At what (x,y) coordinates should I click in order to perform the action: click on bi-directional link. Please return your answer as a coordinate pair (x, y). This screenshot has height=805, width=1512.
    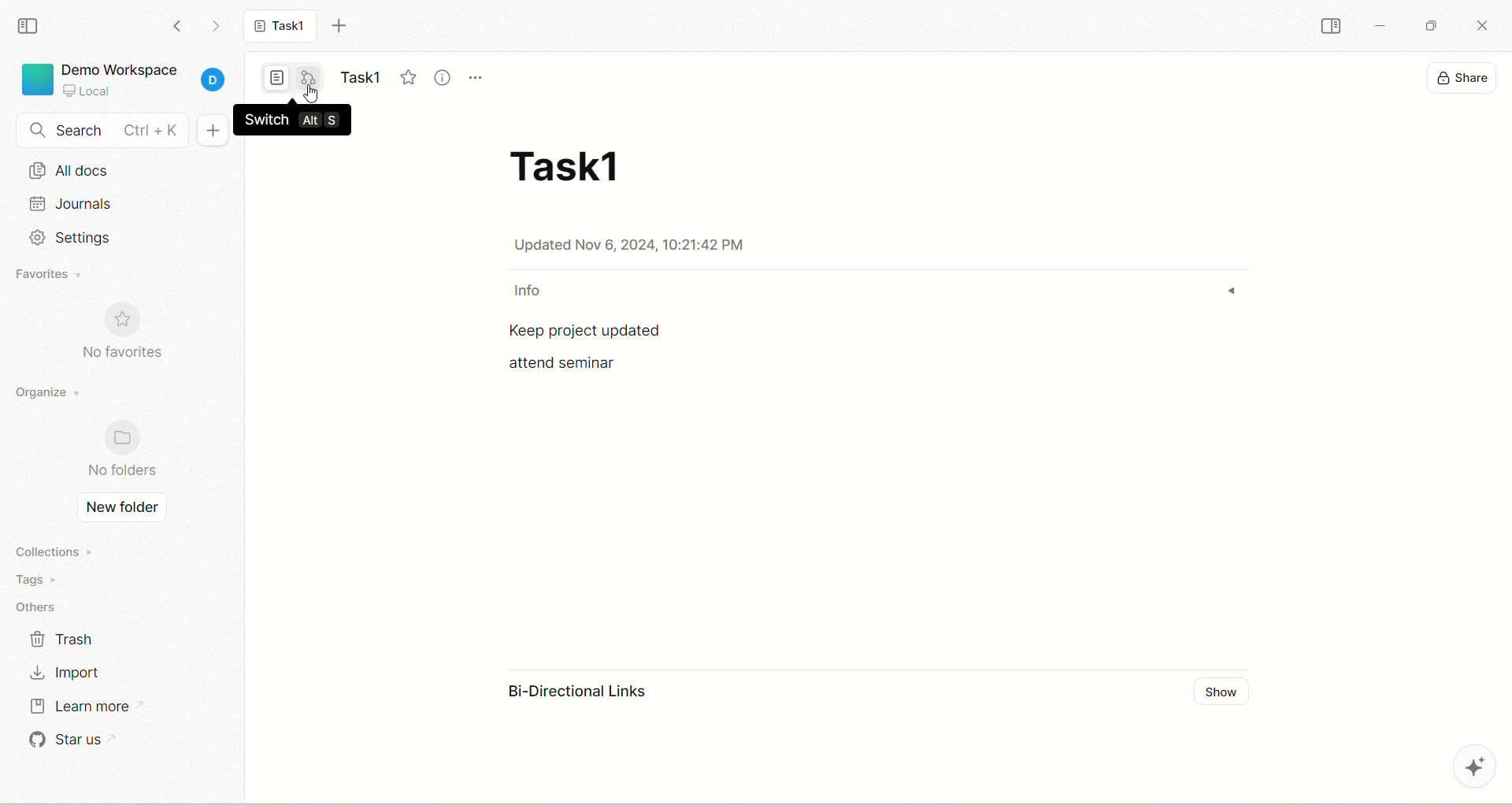
    Looking at the image, I should click on (573, 692).